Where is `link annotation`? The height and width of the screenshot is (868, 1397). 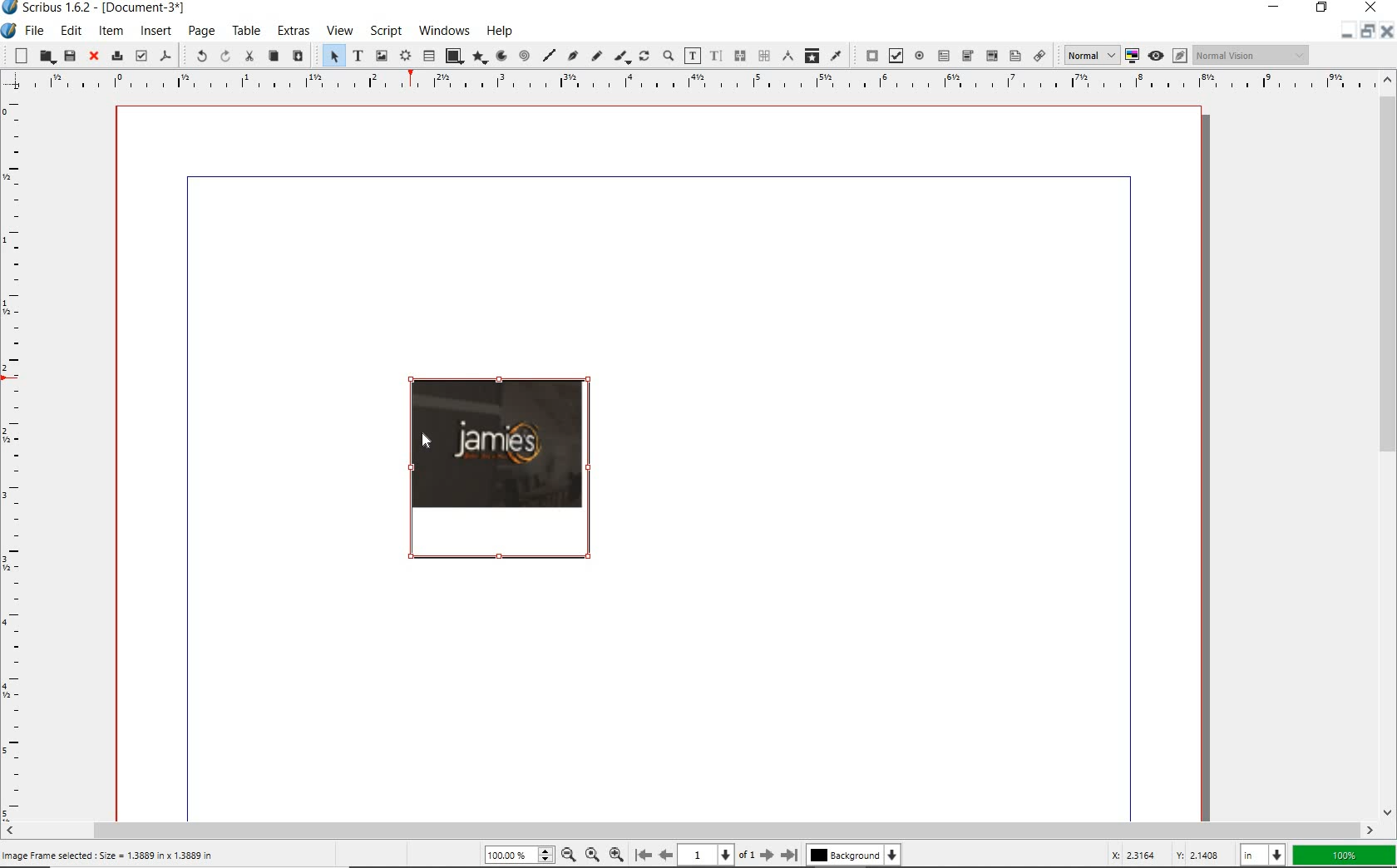 link annotation is located at coordinates (1041, 57).